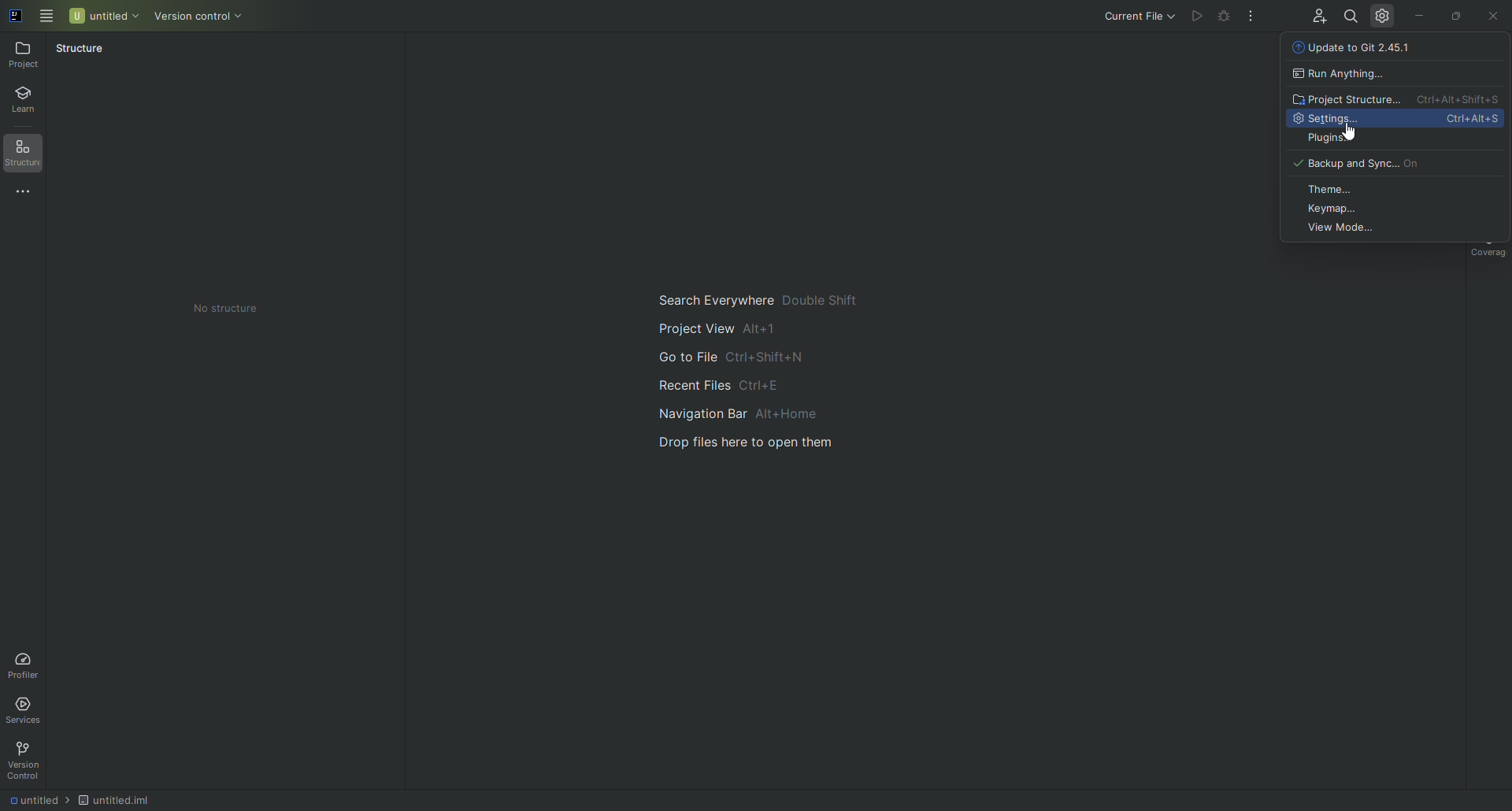 The image size is (1512, 811). What do you see at coordinates (28, 56) in the screenshot?
I see `Project` at bounding box center [28, 56].